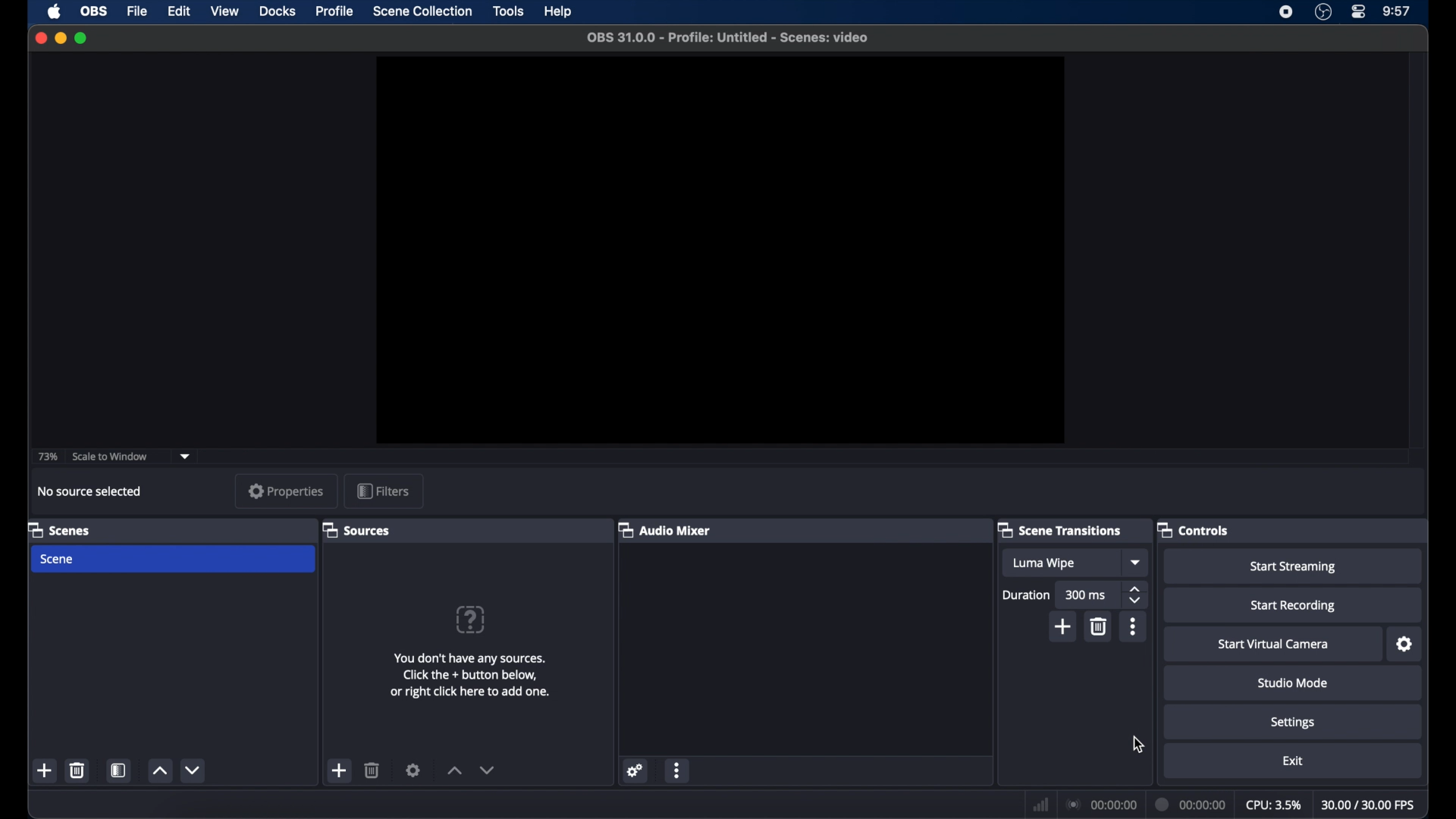  What do you see at coordinates (60, 529) in the screenshot?
I see `scenes` at bounding box center [60, 529].